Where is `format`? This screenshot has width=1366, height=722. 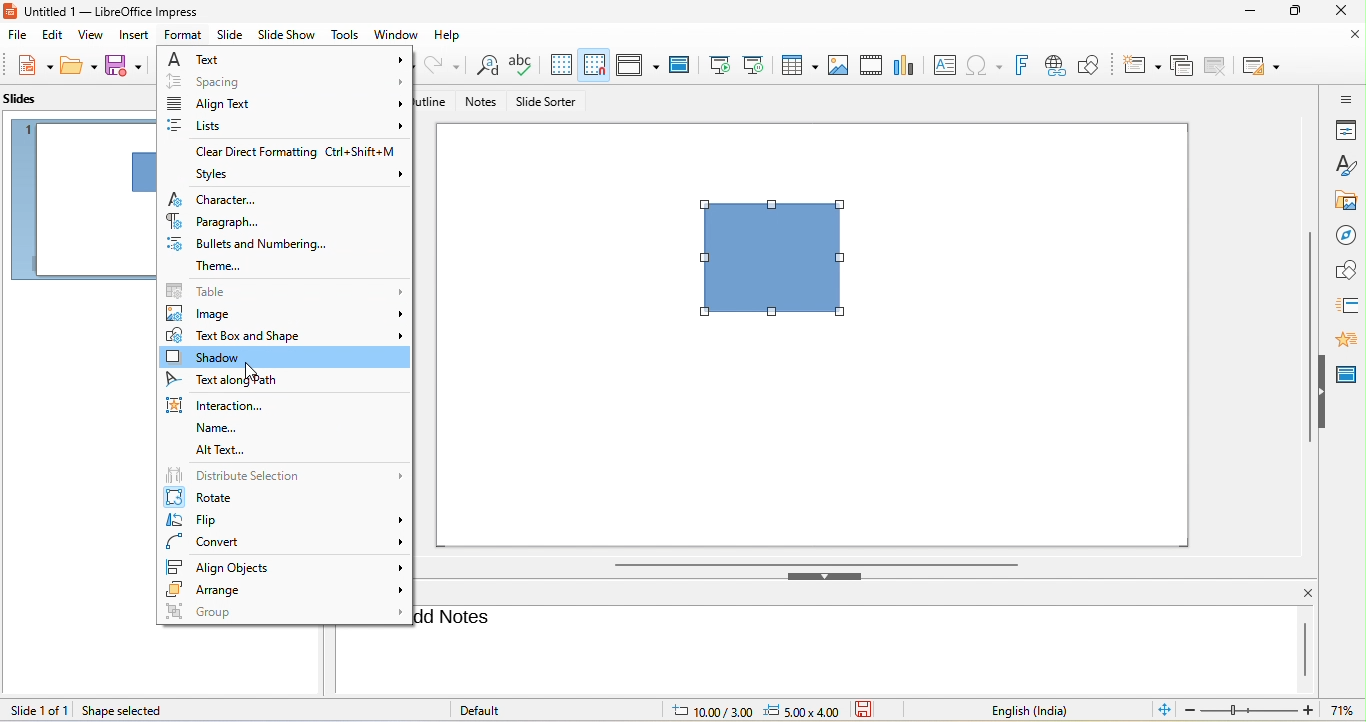 format is located at coordinates (184, 35).